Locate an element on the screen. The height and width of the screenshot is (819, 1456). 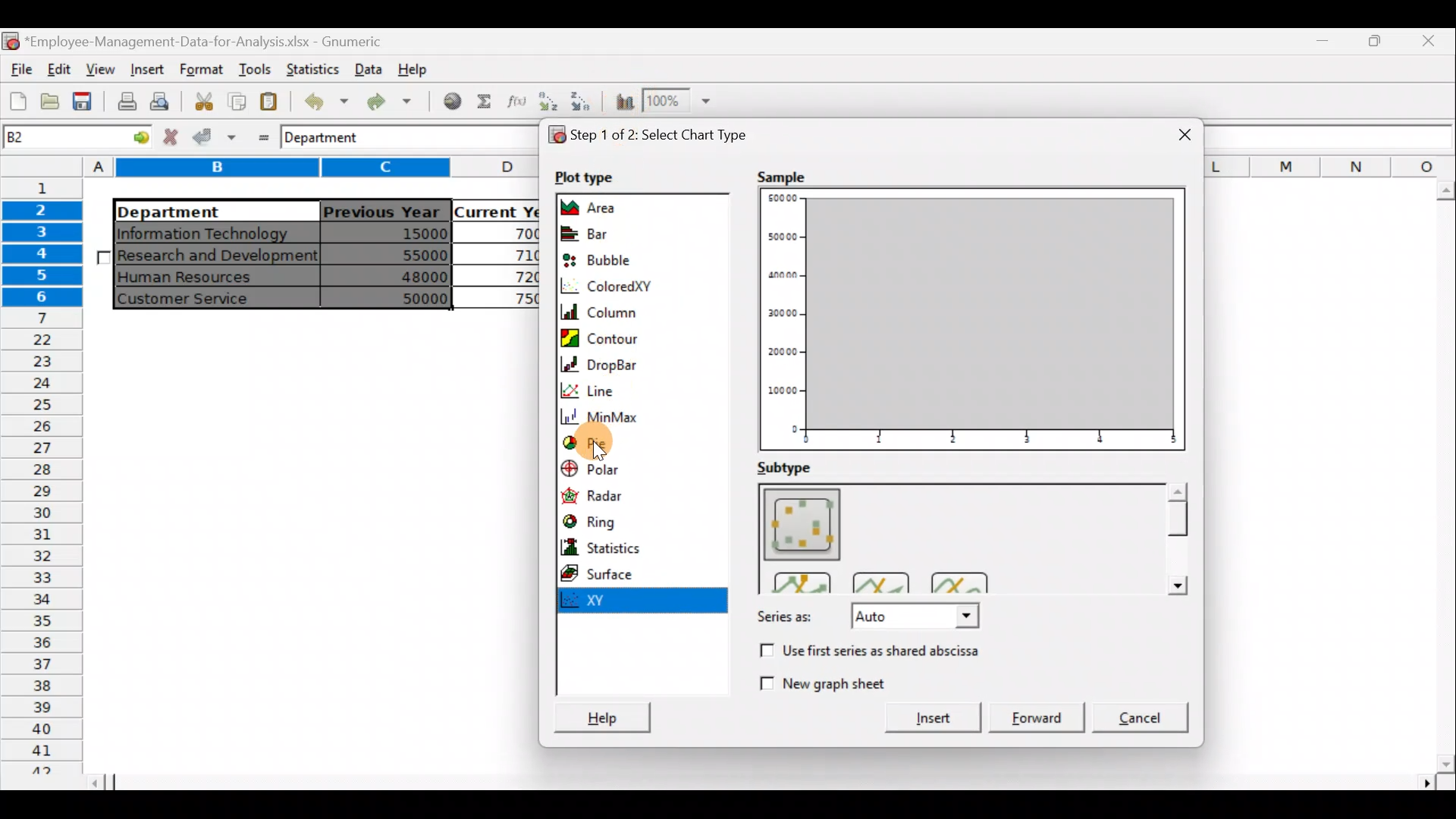
DropBar is located at coordinates (633, 363).